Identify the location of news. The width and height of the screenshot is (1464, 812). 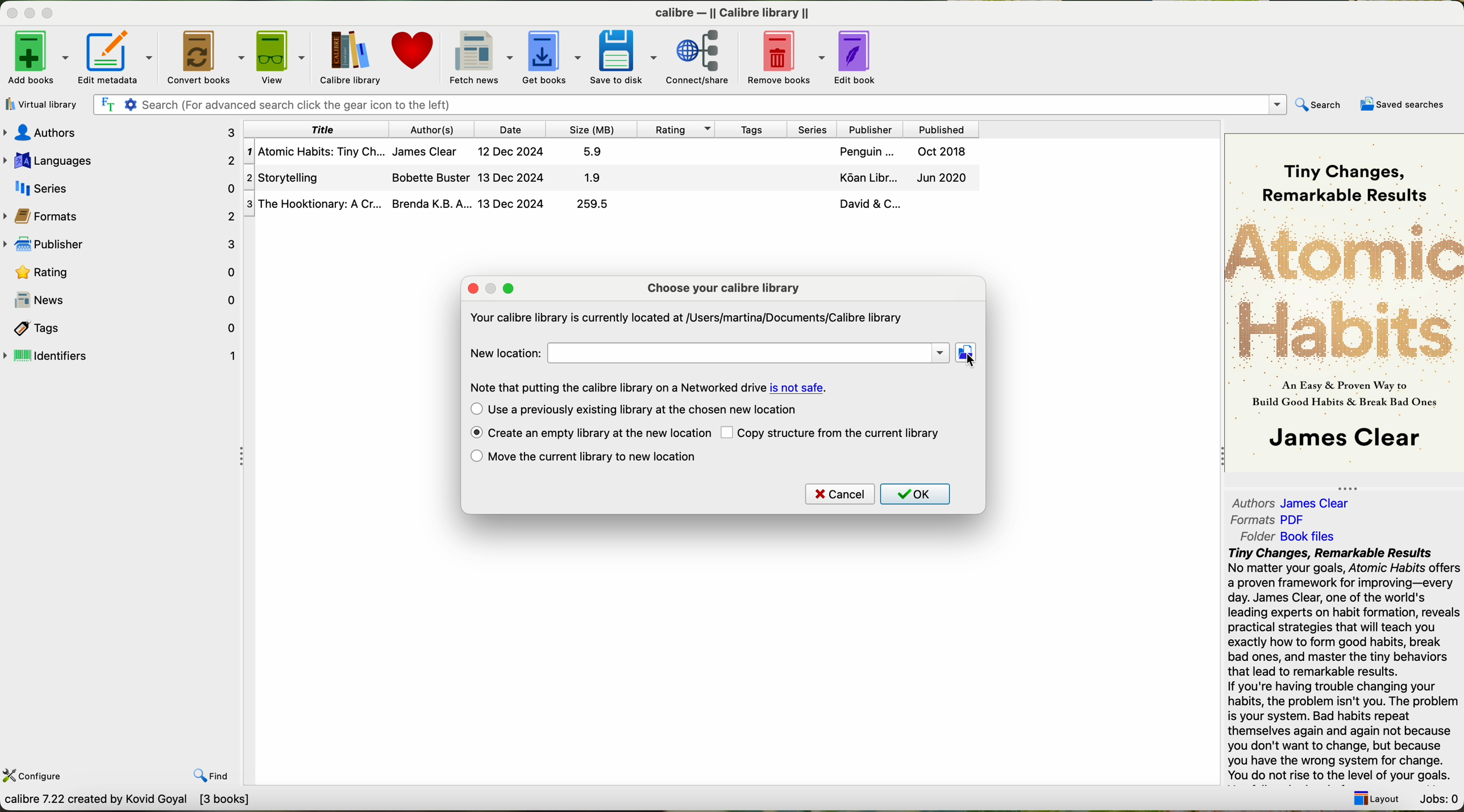
(121, 300).